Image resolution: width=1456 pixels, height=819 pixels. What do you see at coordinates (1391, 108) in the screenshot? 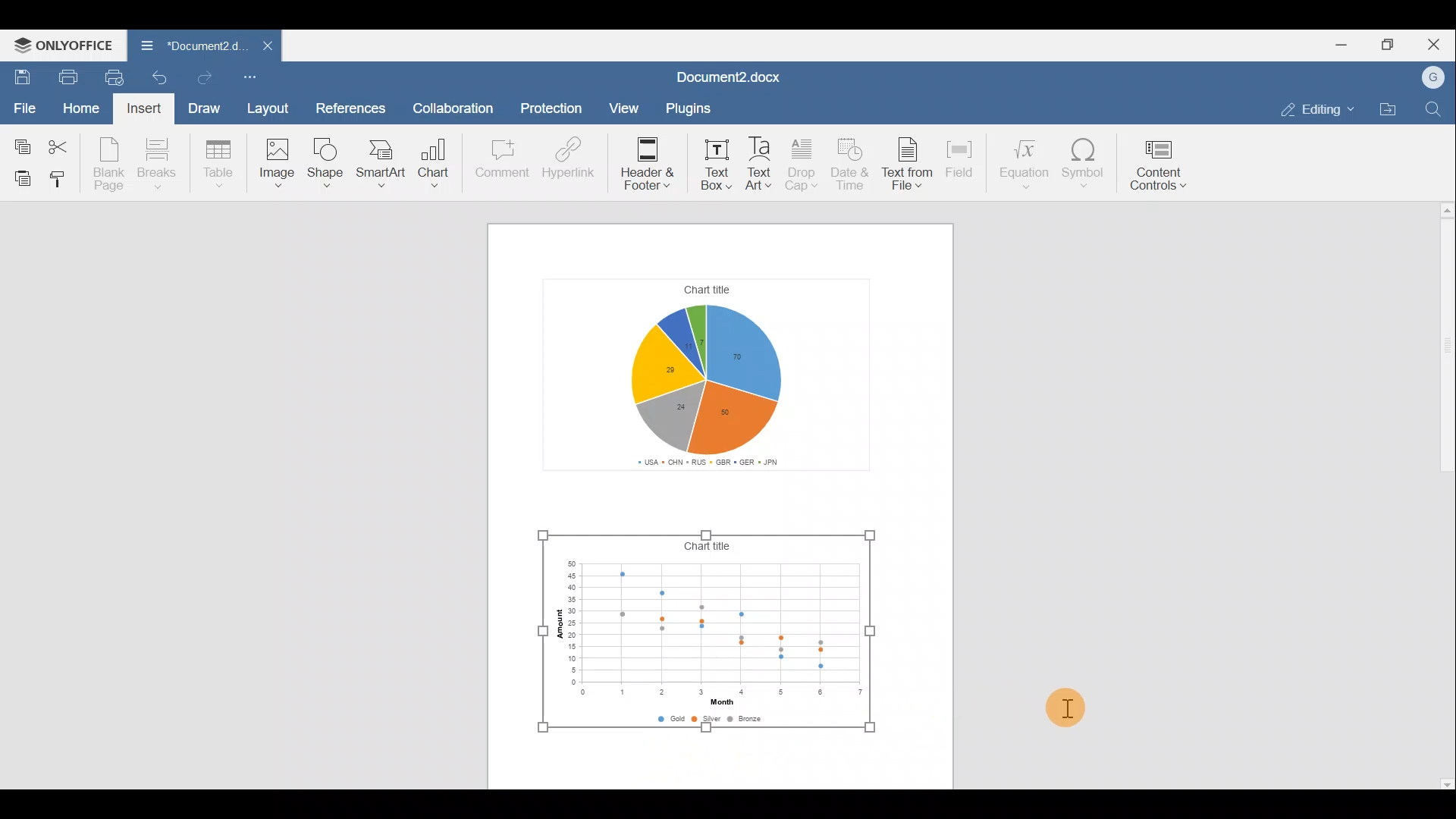
I see `Open file location` at bounding box center [1391, 108].